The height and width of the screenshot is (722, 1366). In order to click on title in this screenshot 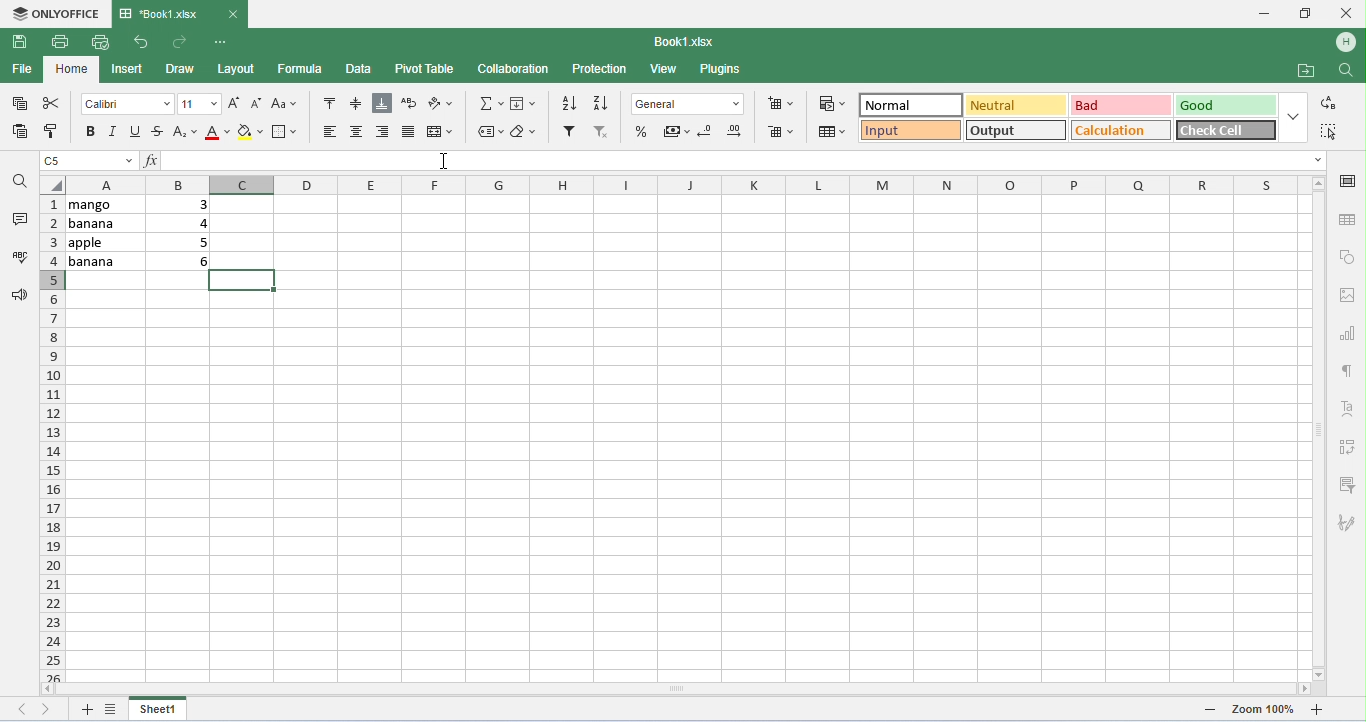, I will do `click(160, 13)`.